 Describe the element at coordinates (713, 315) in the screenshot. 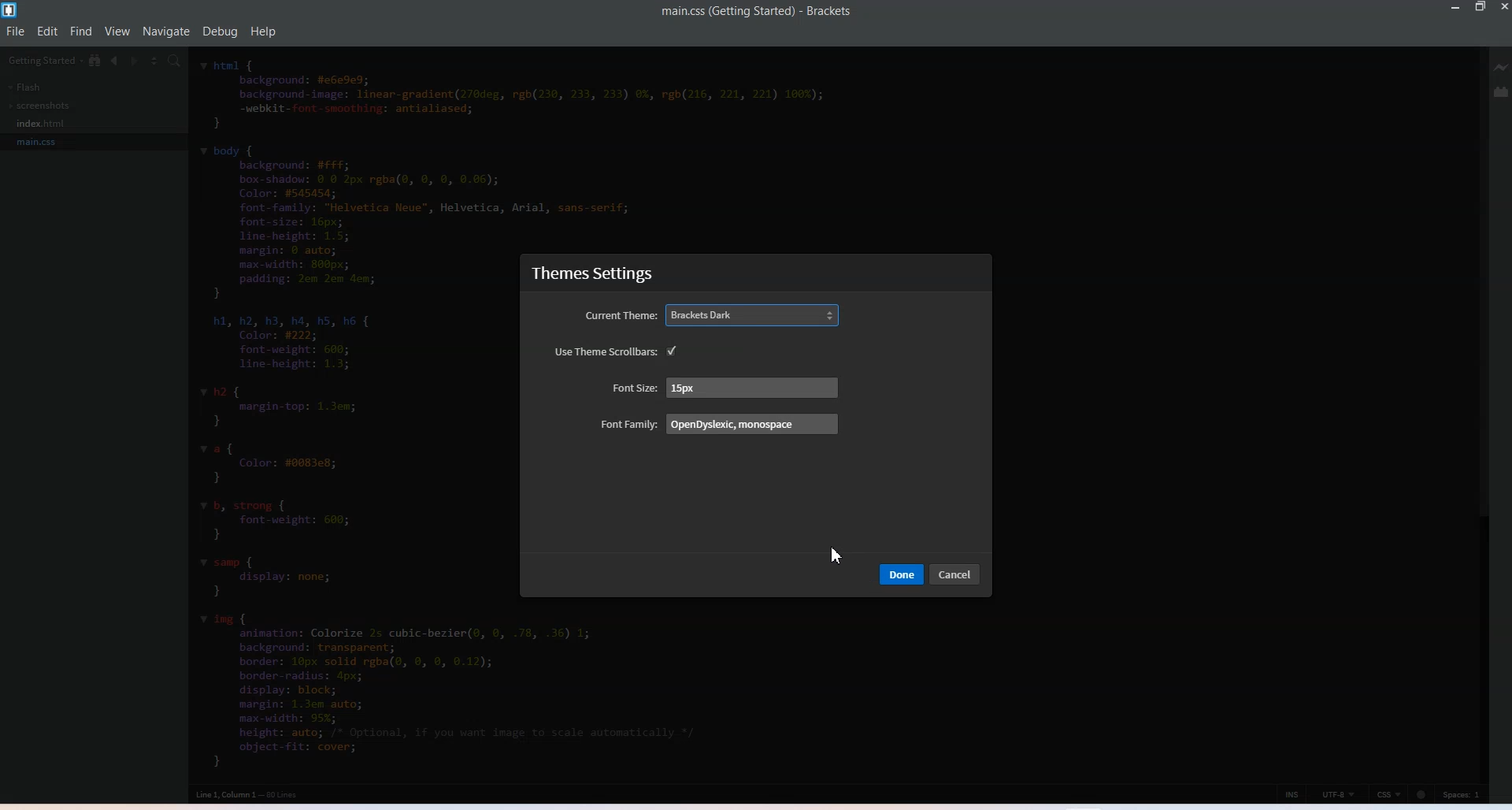

I see `Current Theme` at that location.